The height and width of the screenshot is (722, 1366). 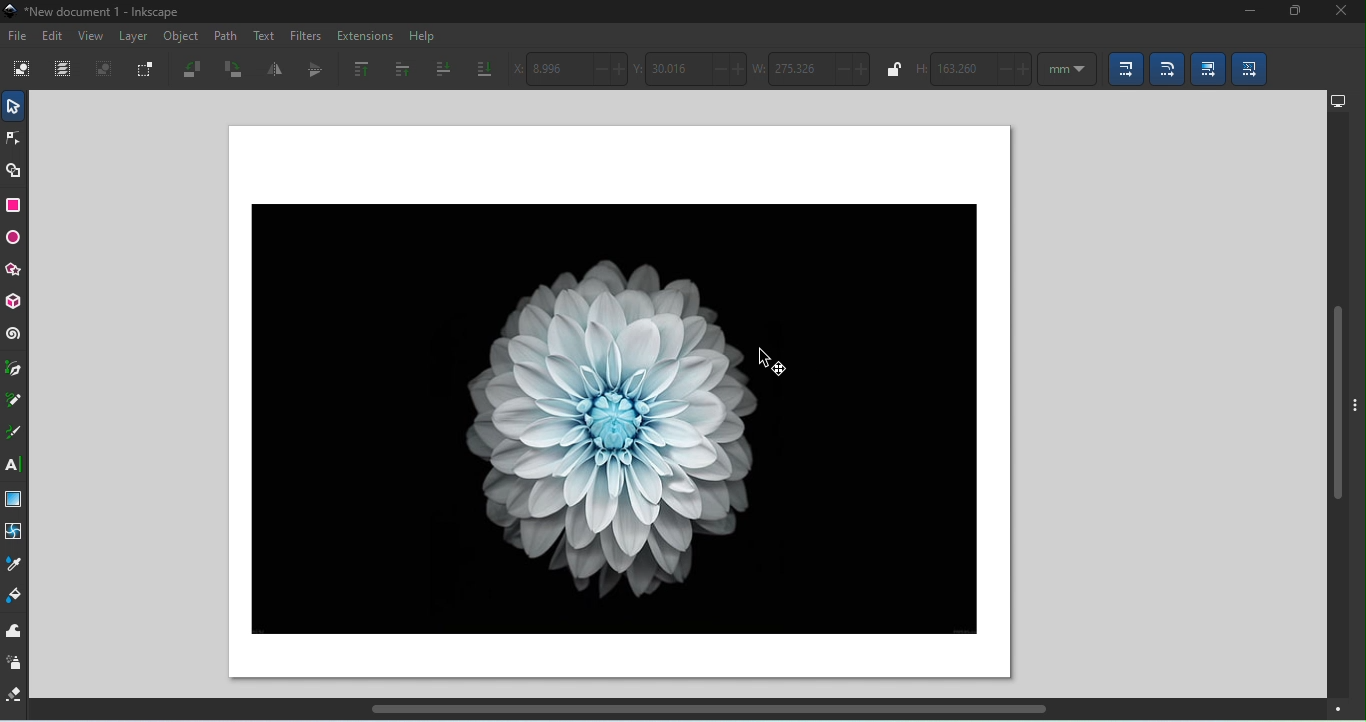 What do you see at coordinates (769, 360) in the screenshot?
I see `cursor` at bounding box center [769, 360].